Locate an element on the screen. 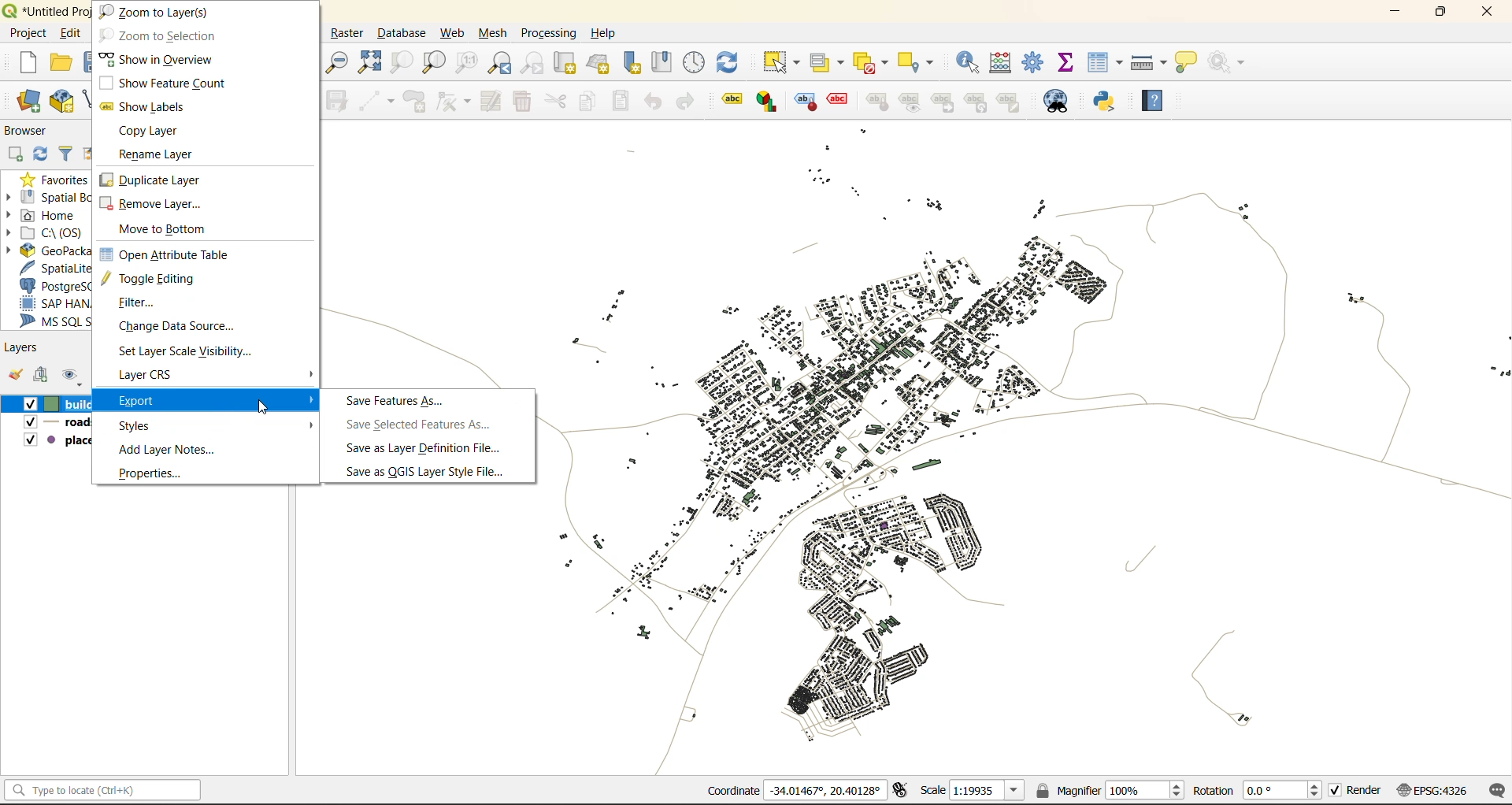  open attribute table is located at coordinates (173, 255).